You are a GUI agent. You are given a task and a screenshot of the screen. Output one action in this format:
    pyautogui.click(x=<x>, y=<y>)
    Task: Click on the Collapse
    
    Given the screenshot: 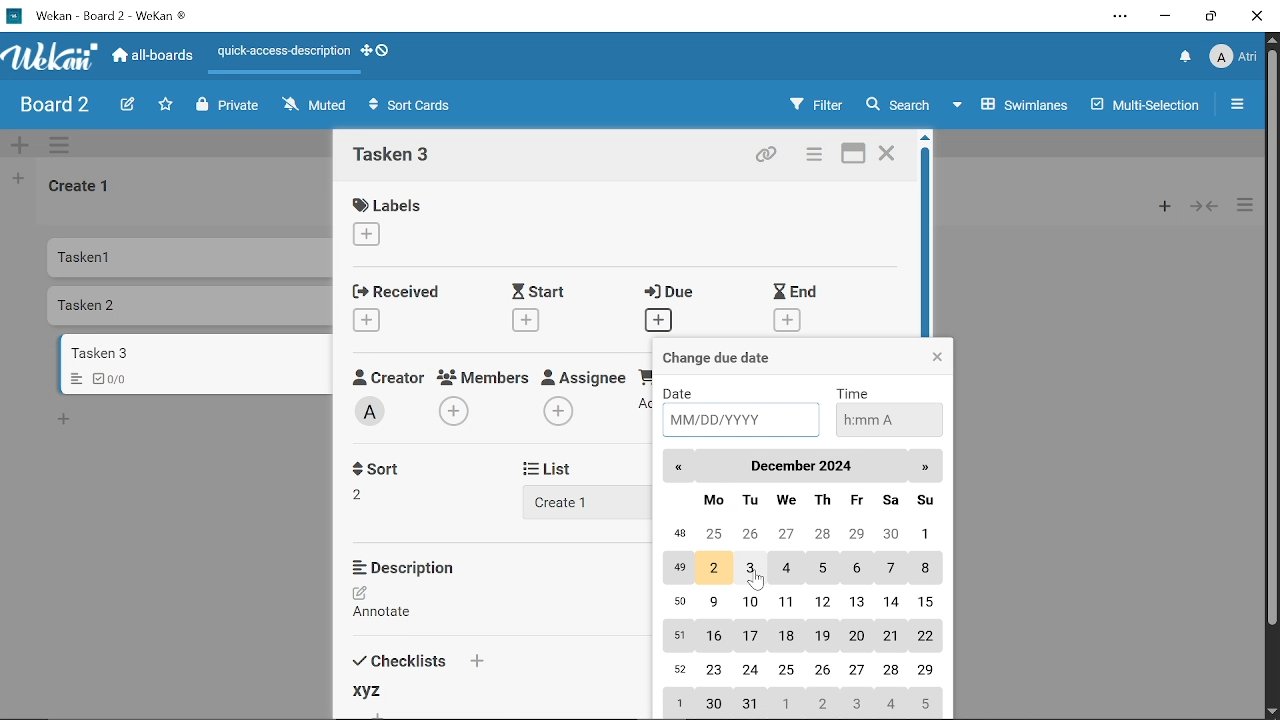 What is the action you would take?
    pyautogui.click(x=1204, y=206)
    